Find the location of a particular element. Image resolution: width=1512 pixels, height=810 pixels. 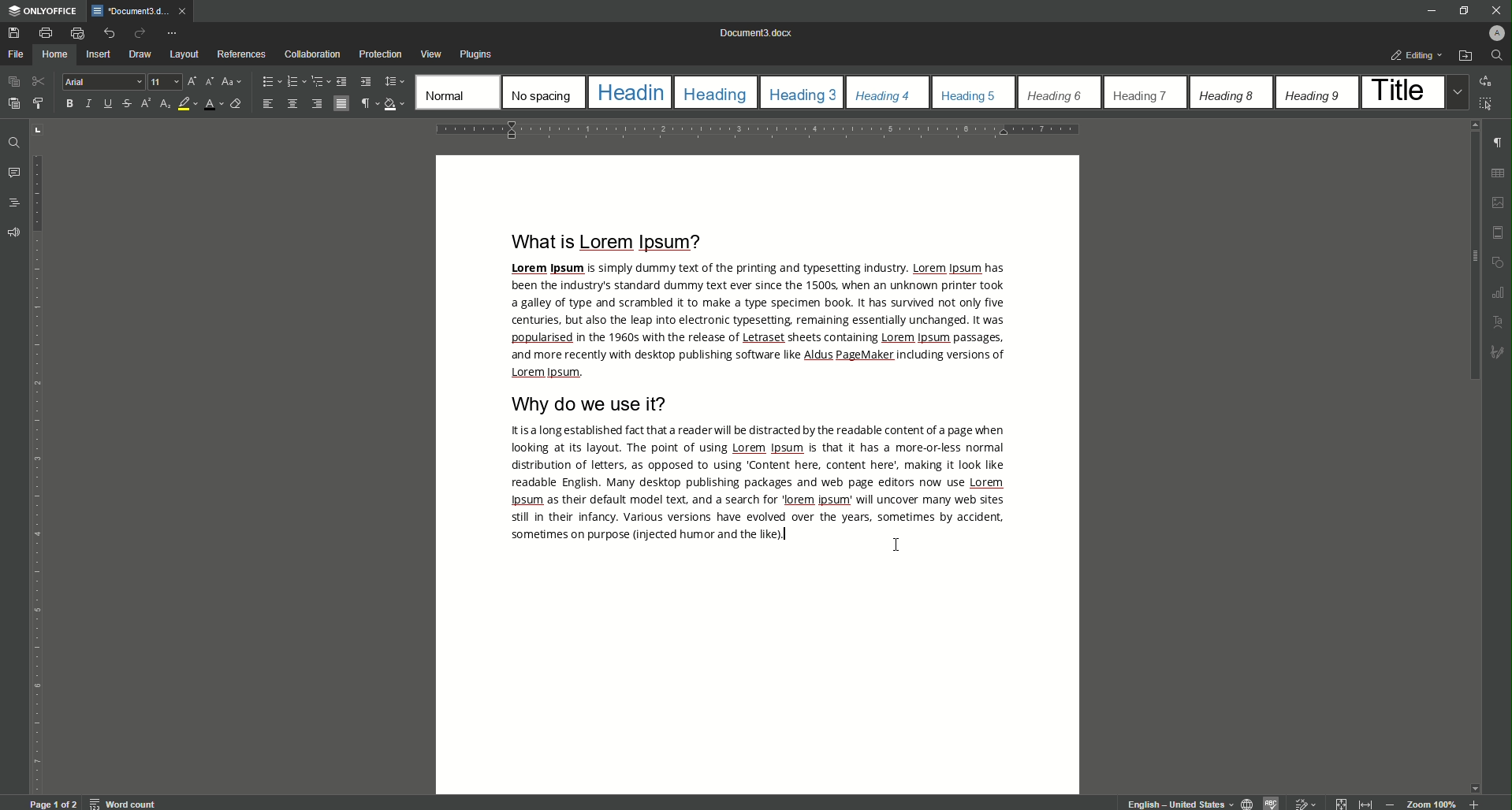

Heading 4 is located at coordinates (883, 94).